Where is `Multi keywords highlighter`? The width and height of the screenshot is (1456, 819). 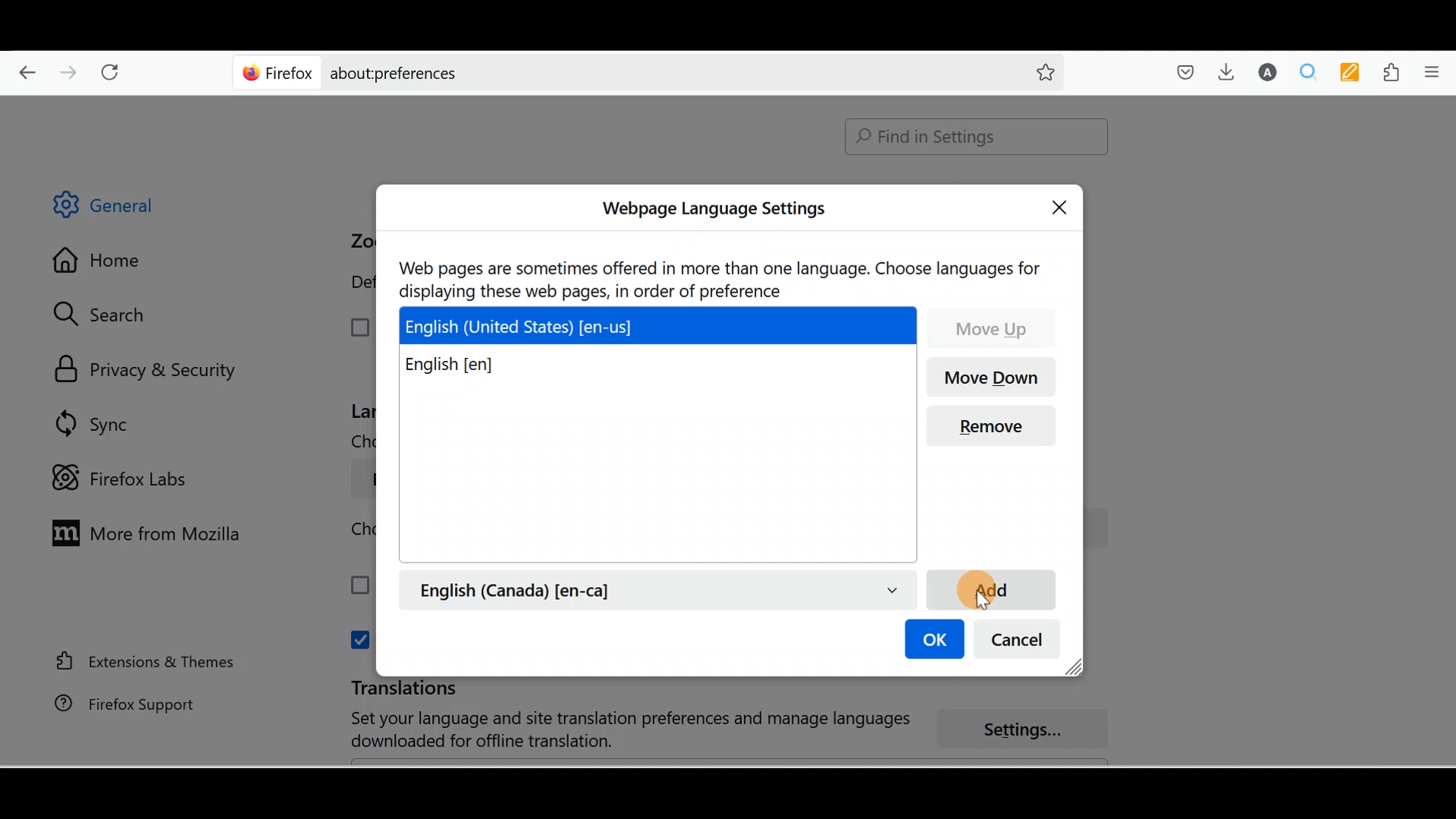 Multi keywords highlighter is located at coordinates (1354, 74).